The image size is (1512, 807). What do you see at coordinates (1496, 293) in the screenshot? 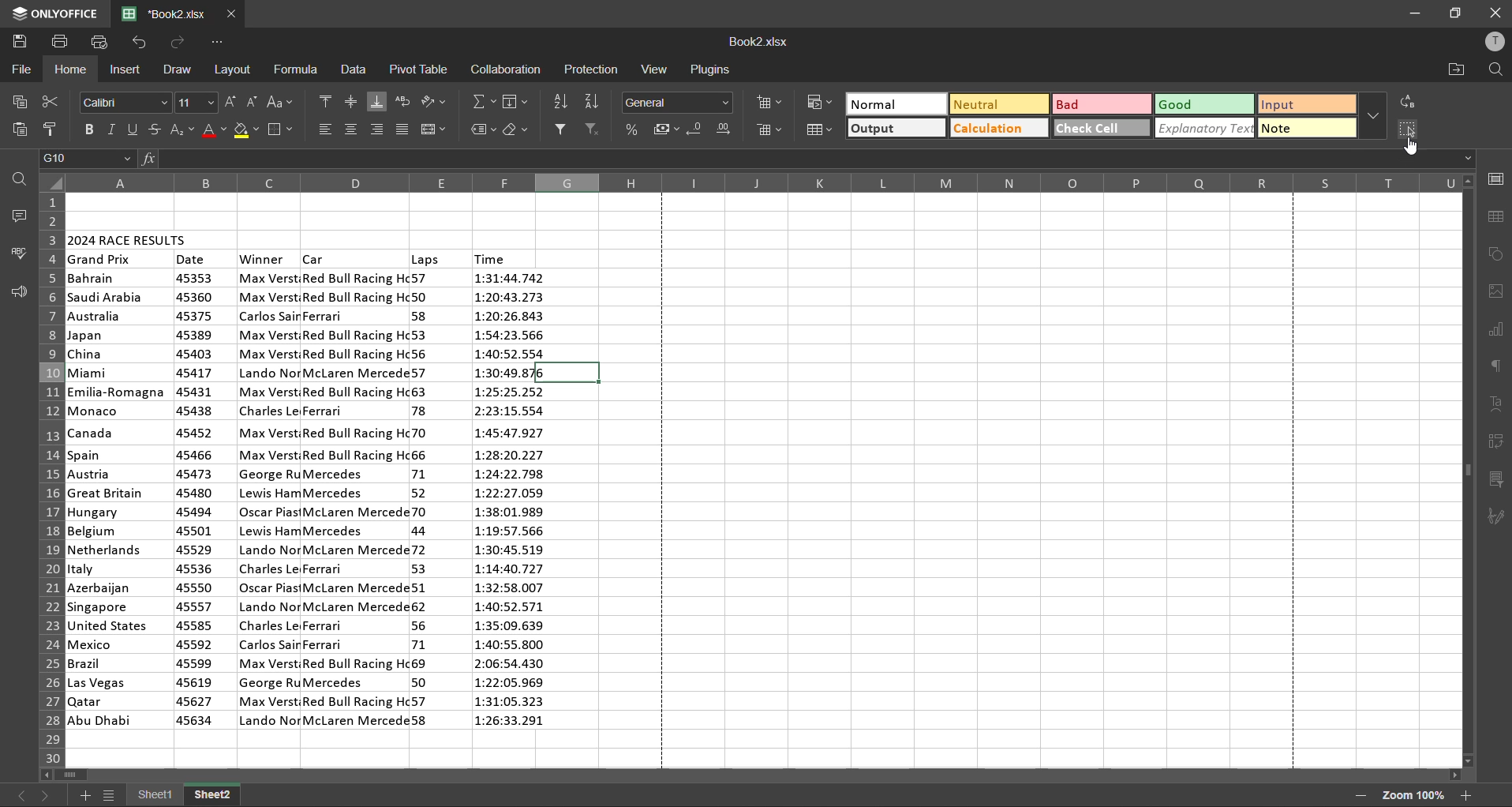
I see `images` at bounding box center [1496, 293].